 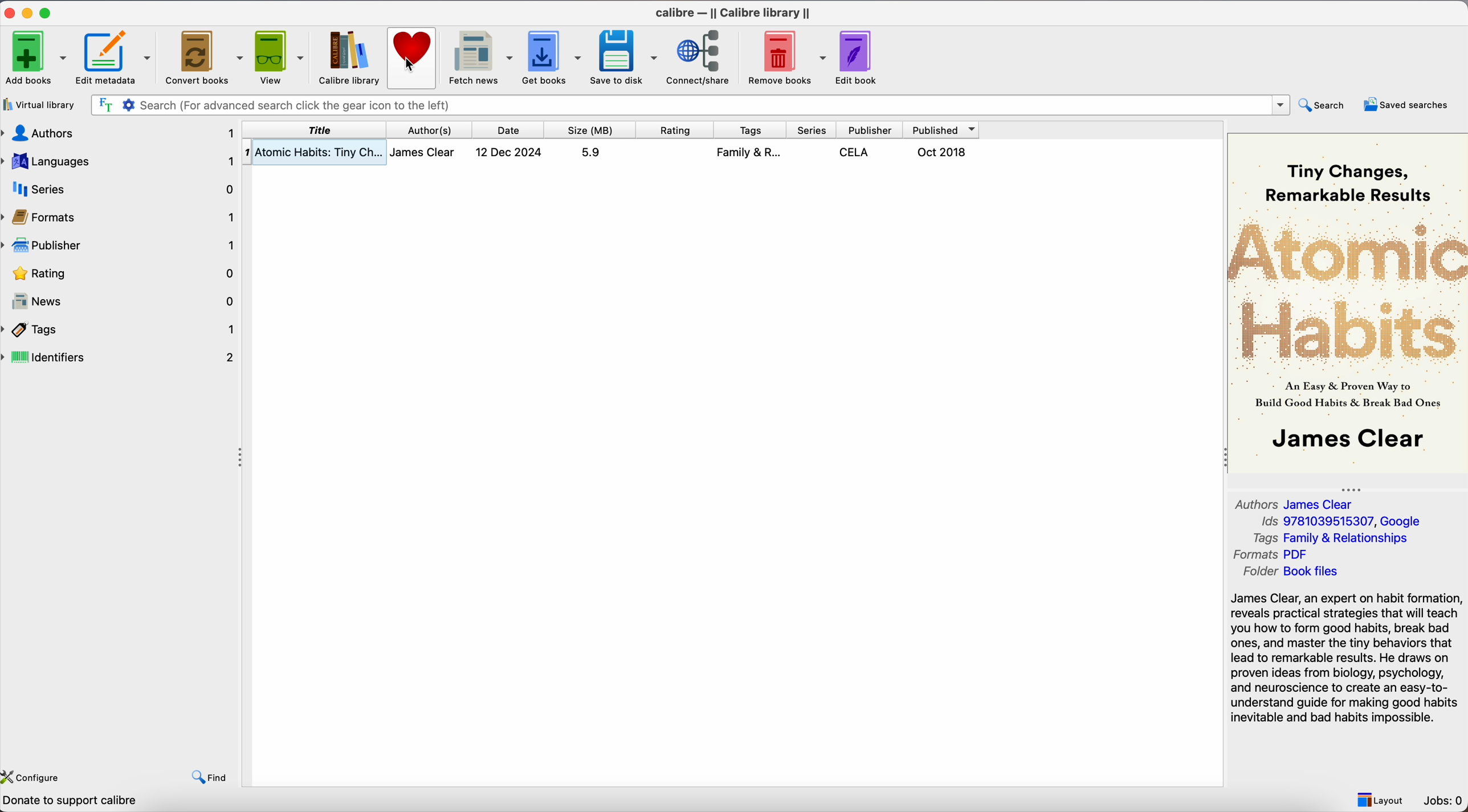 I want to click on close program, so click(x=9, y=13).